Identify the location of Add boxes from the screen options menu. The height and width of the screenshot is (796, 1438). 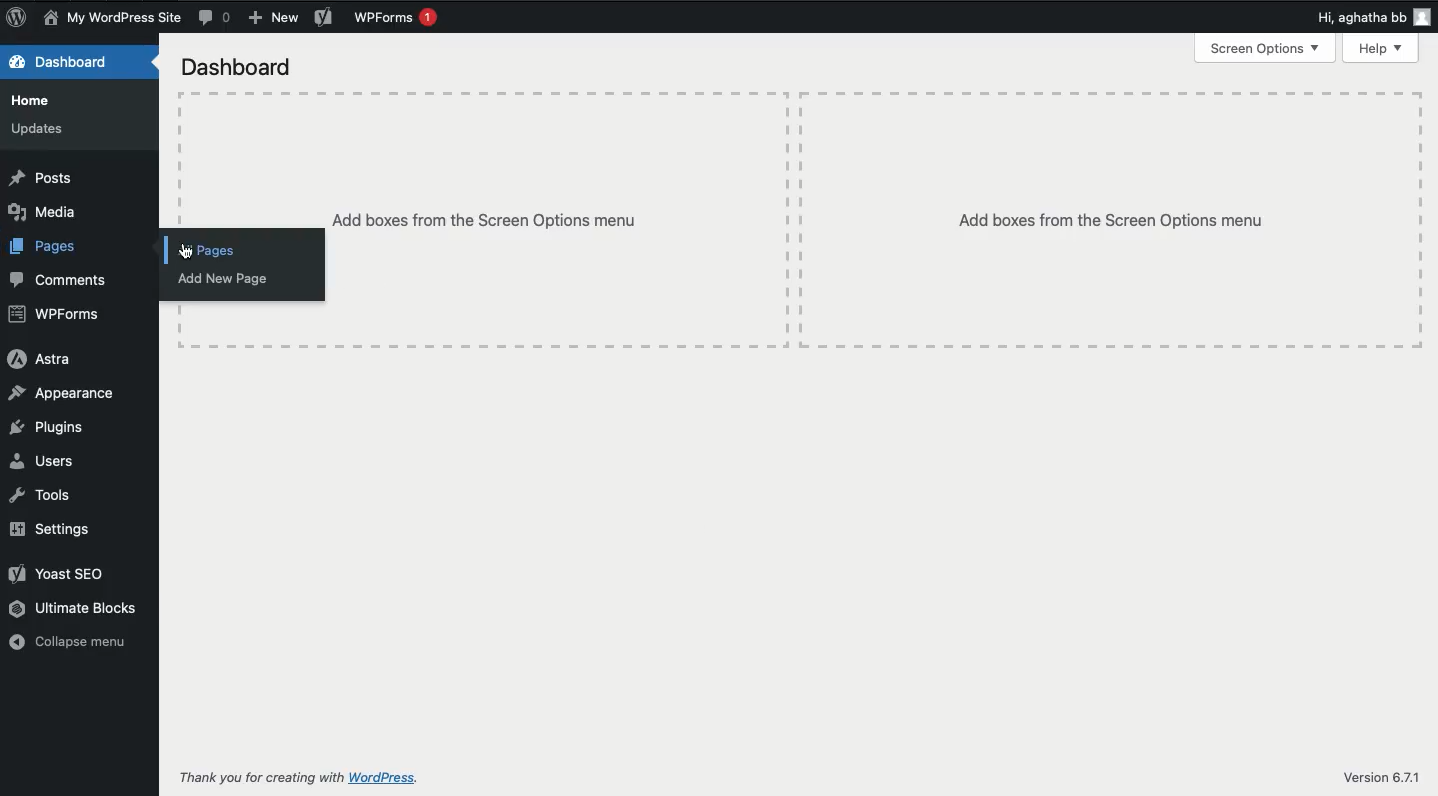
(485, 220).